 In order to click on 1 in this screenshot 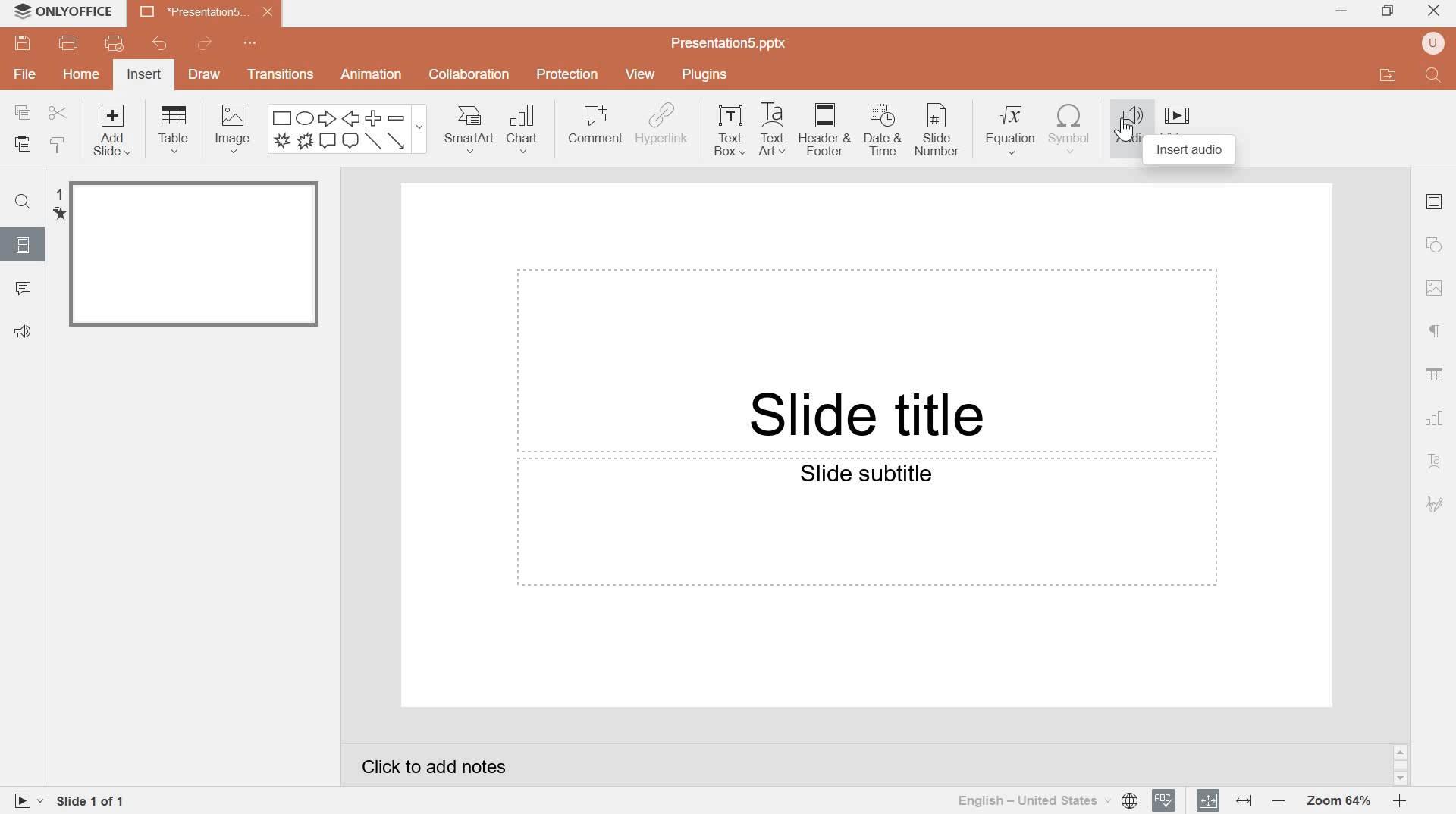, I will do `click(58, 193)`.